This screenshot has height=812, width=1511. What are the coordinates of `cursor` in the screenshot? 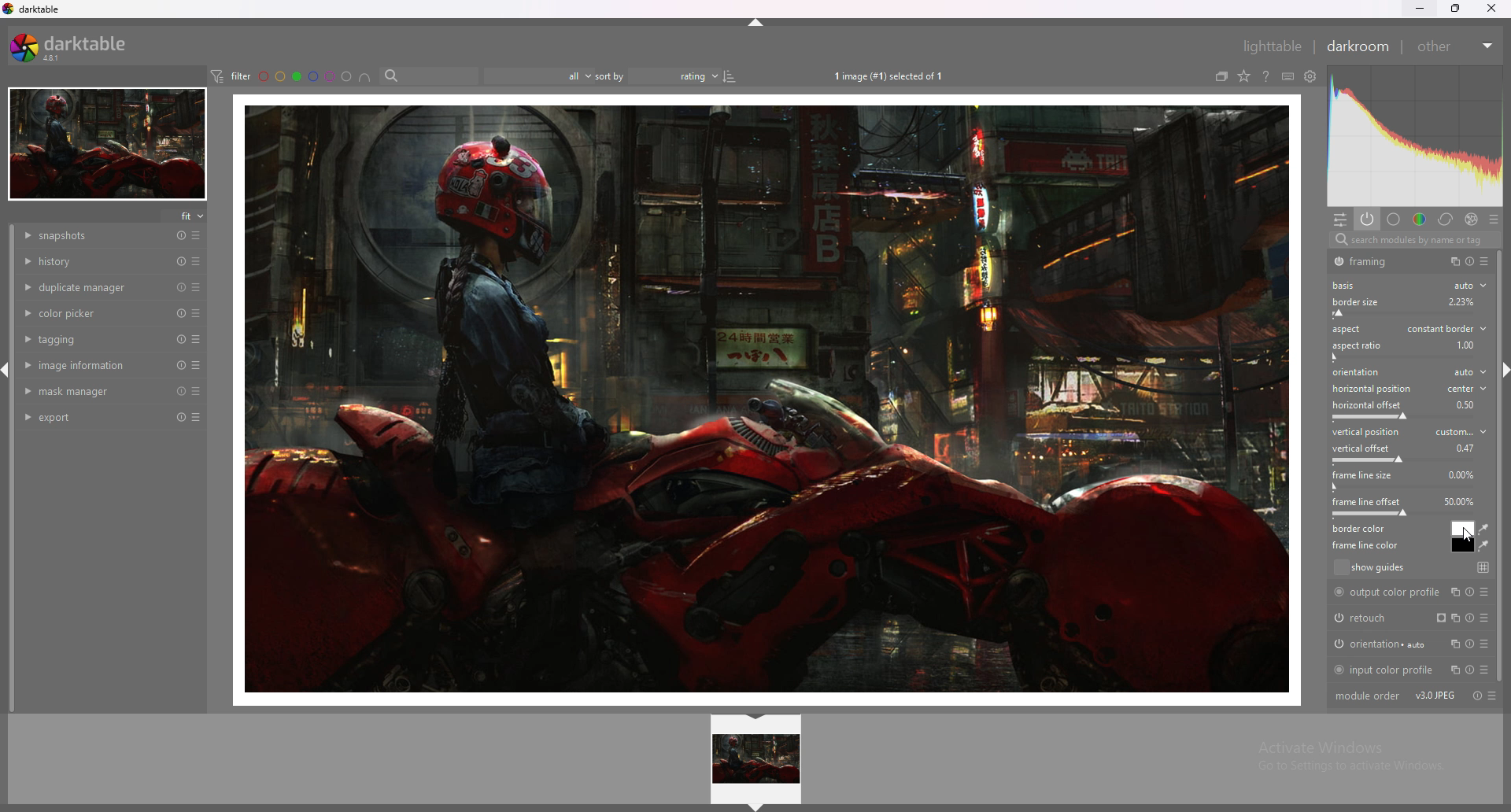 It's located at (1464, 535).